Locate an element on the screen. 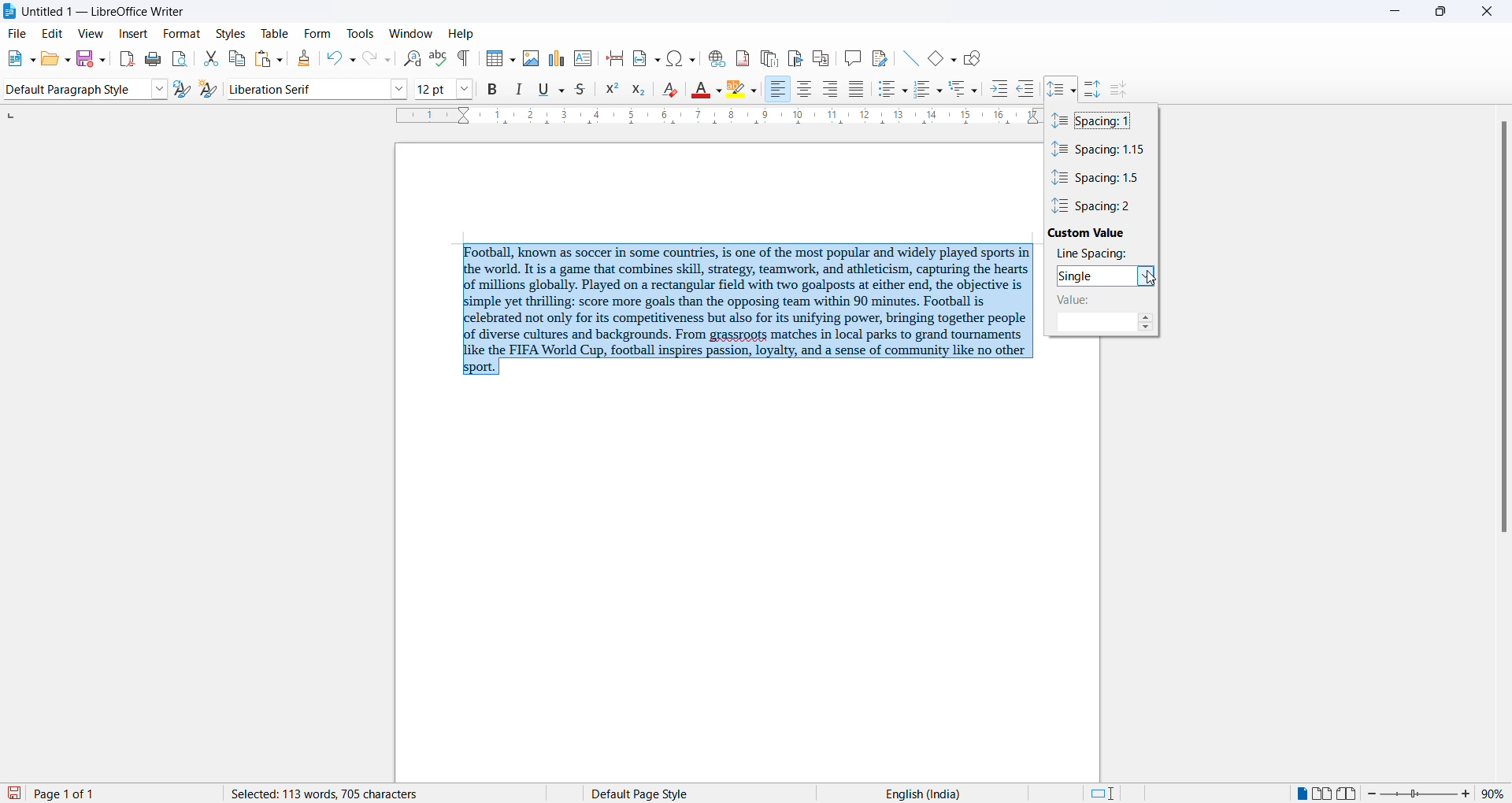 This screenshot has height=803, width=1512. cursor is located at coordinates (1155, 279).